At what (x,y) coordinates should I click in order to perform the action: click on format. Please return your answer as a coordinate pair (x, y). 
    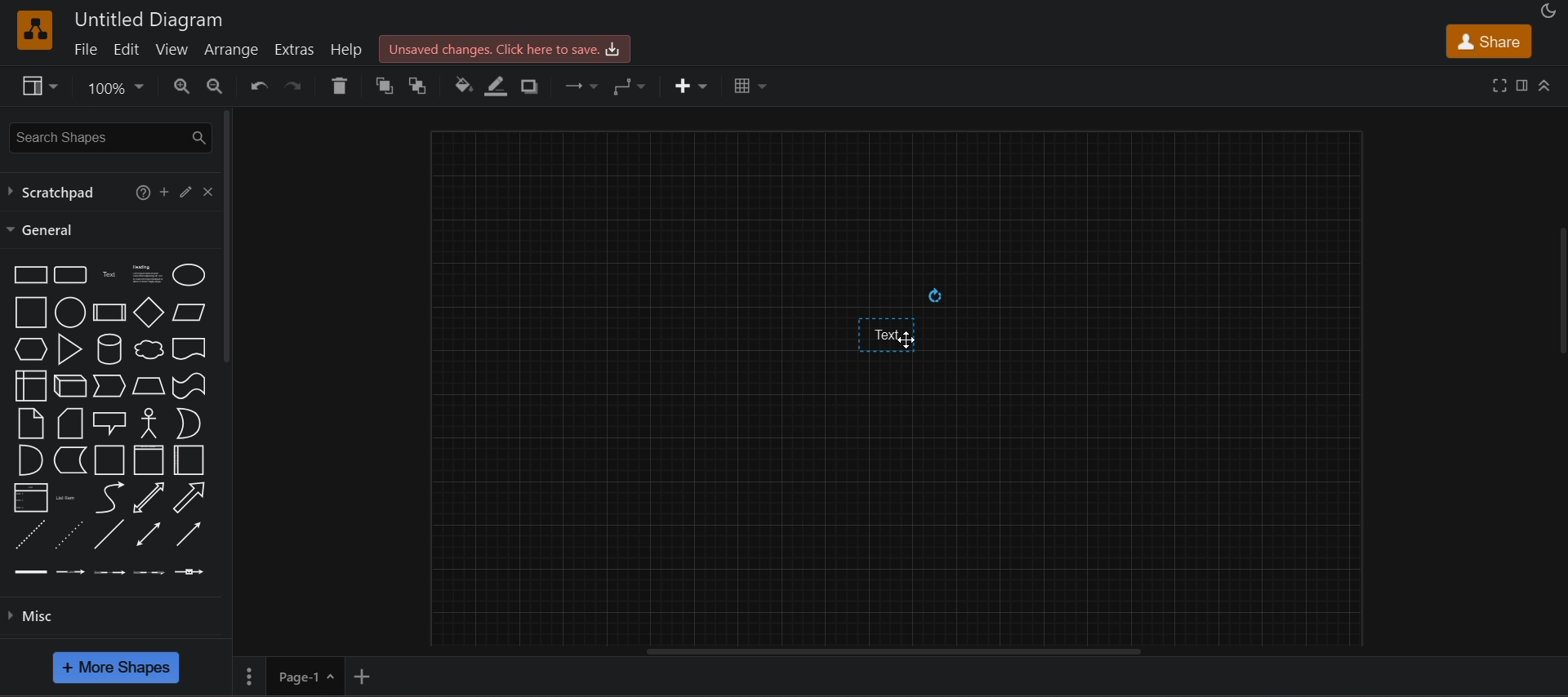
    Looking at the image, I should click on (1521, 85).